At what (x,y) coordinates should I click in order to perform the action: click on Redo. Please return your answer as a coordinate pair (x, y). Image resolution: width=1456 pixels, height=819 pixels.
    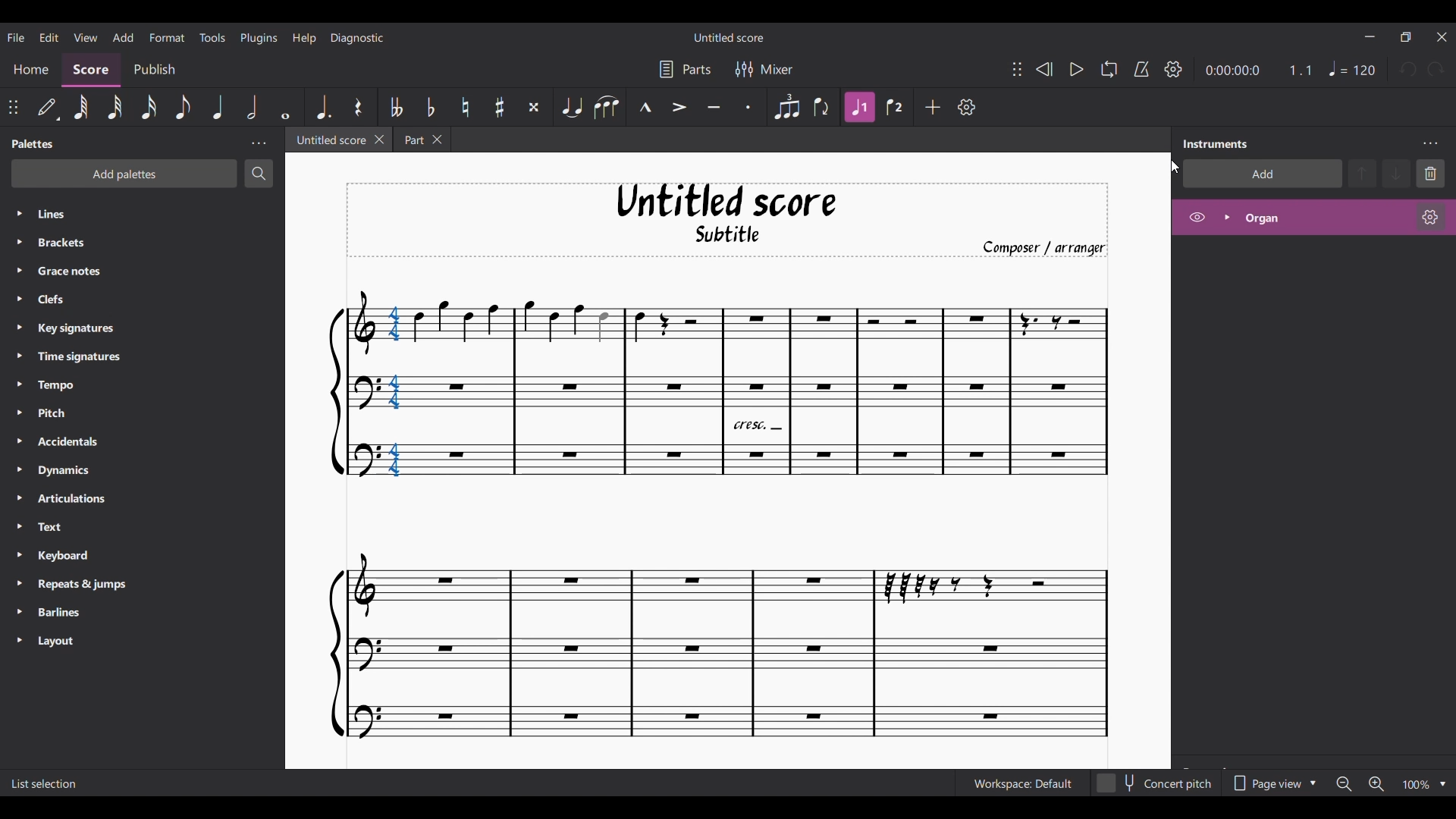
    Looking at the image, I should click on (1436, 69).